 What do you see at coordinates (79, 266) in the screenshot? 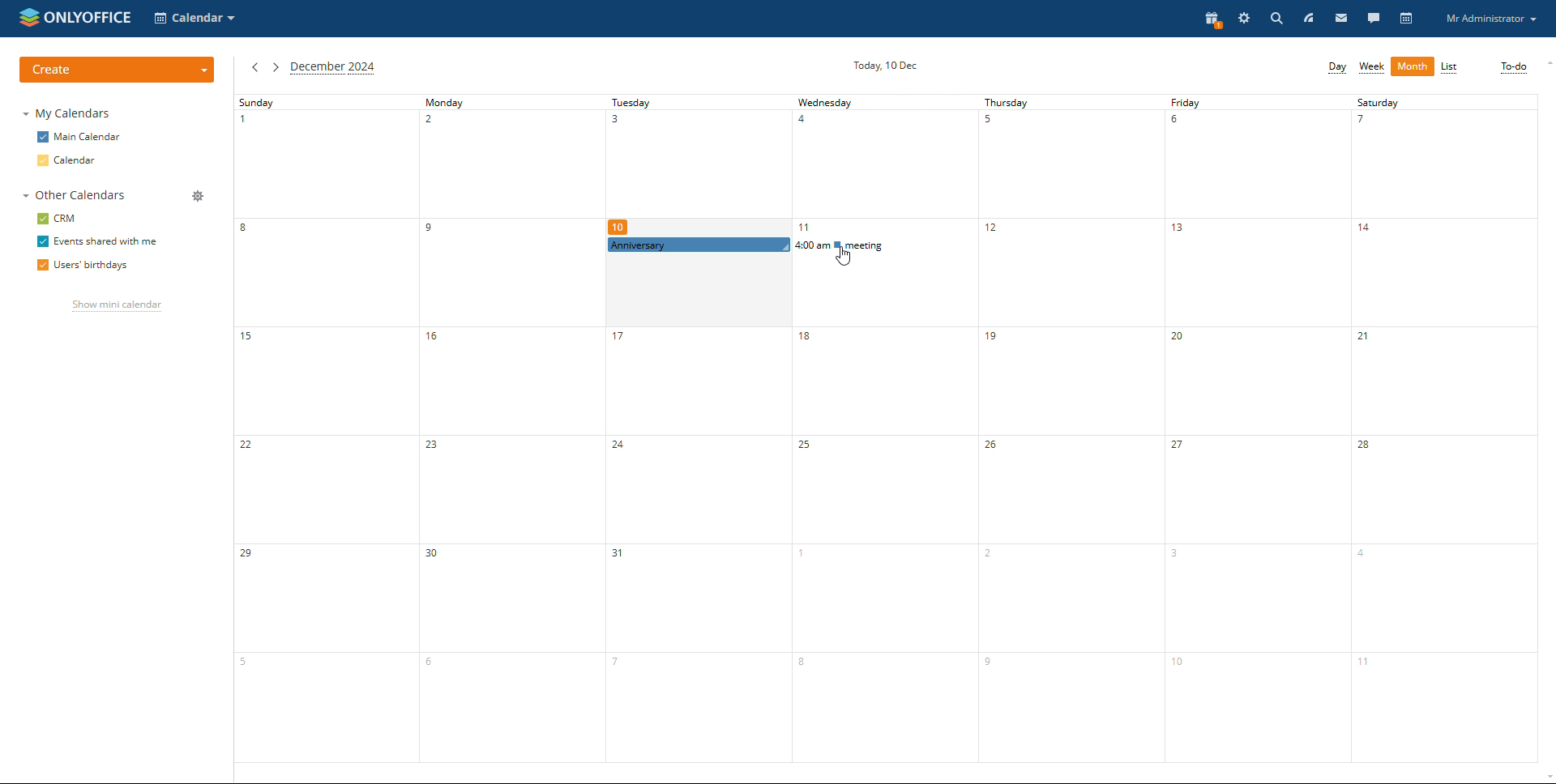
I see `users' birthdays` at bounding box center [79, 266].